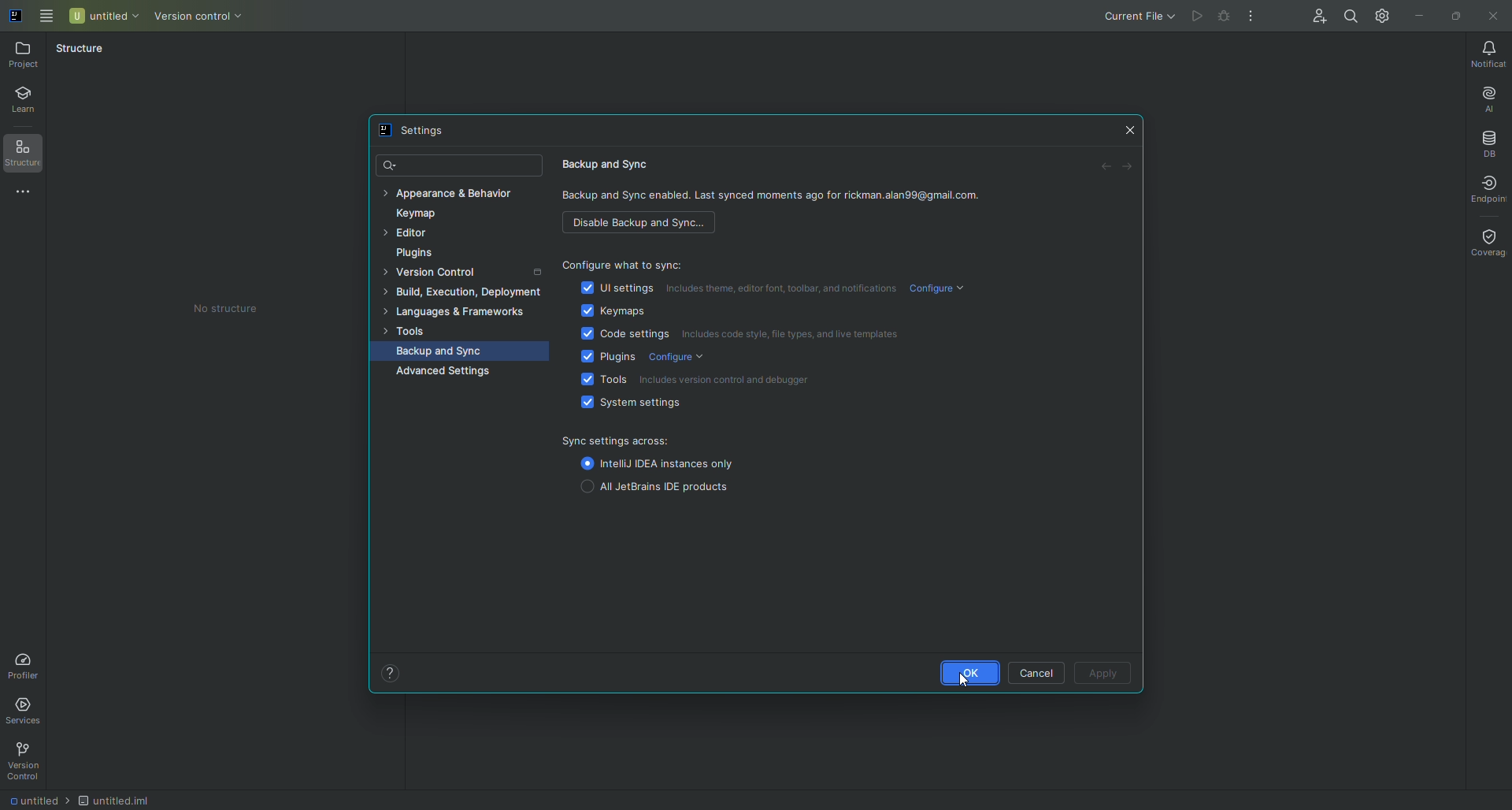 The image size is (1512, 810). I want to click on Project, so click(26, 54).